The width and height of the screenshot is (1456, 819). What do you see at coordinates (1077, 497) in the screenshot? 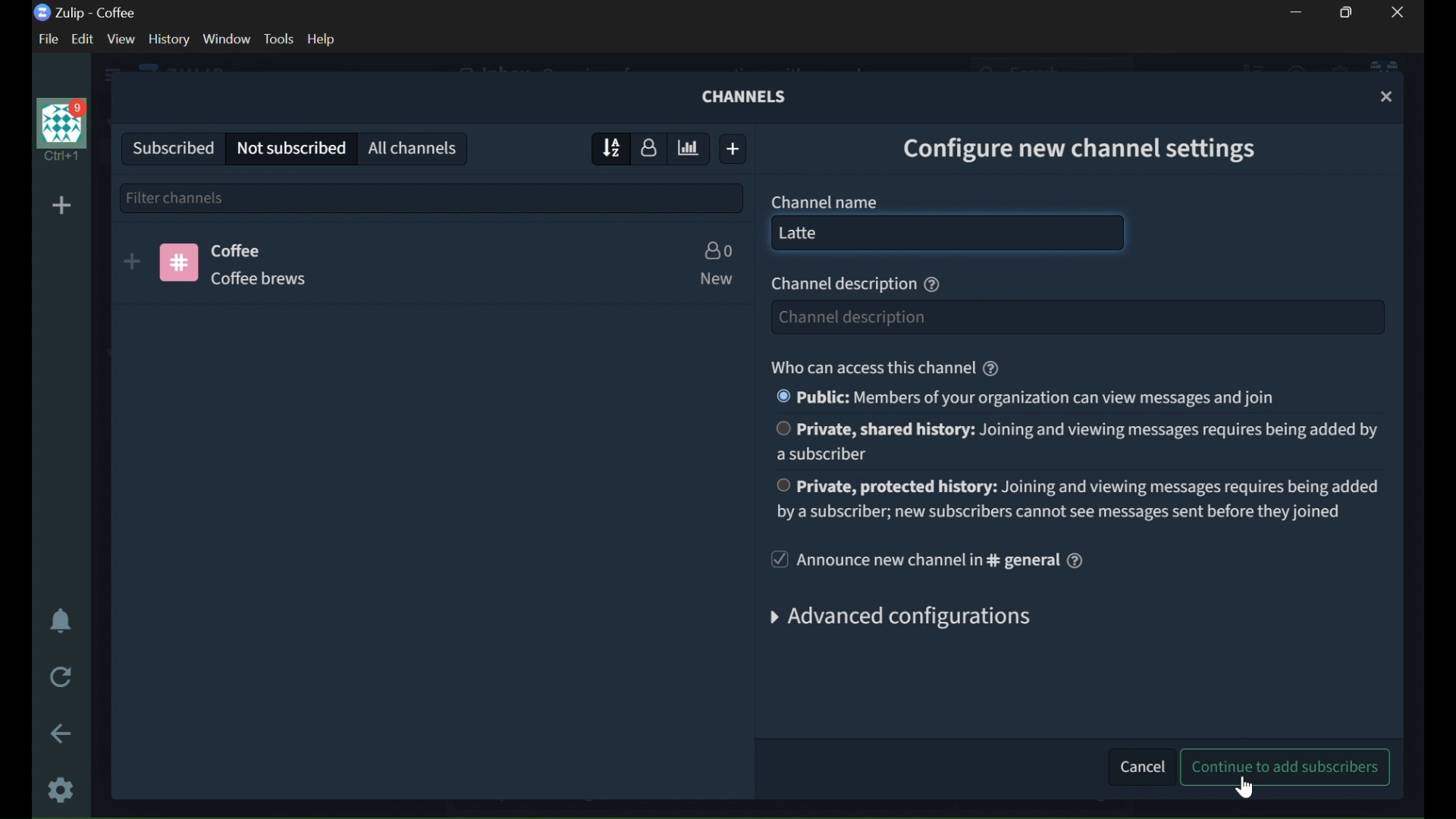
I see `Private protected history: joining and viewing messages requires being entered by a subscriber new subscribers cannot see messages sent before they joined` at bounding box center [1077, 497].